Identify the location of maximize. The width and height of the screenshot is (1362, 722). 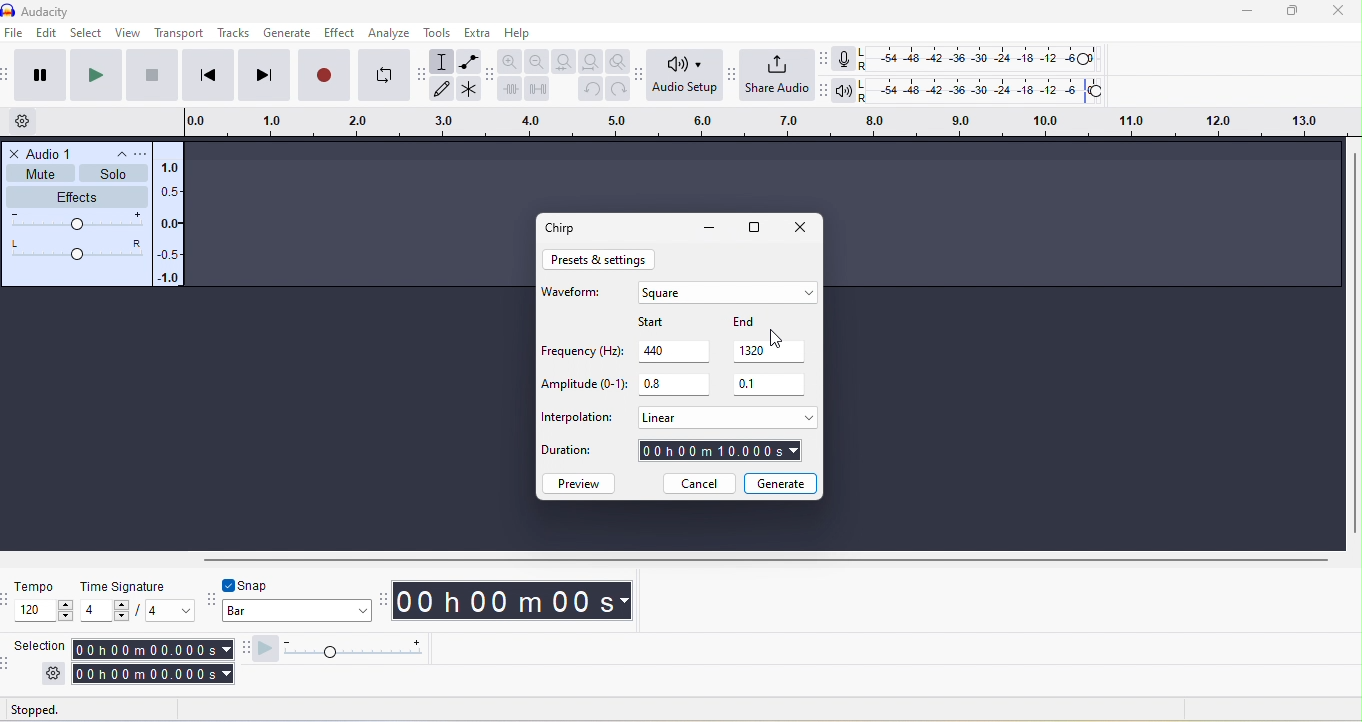
(757, 229).